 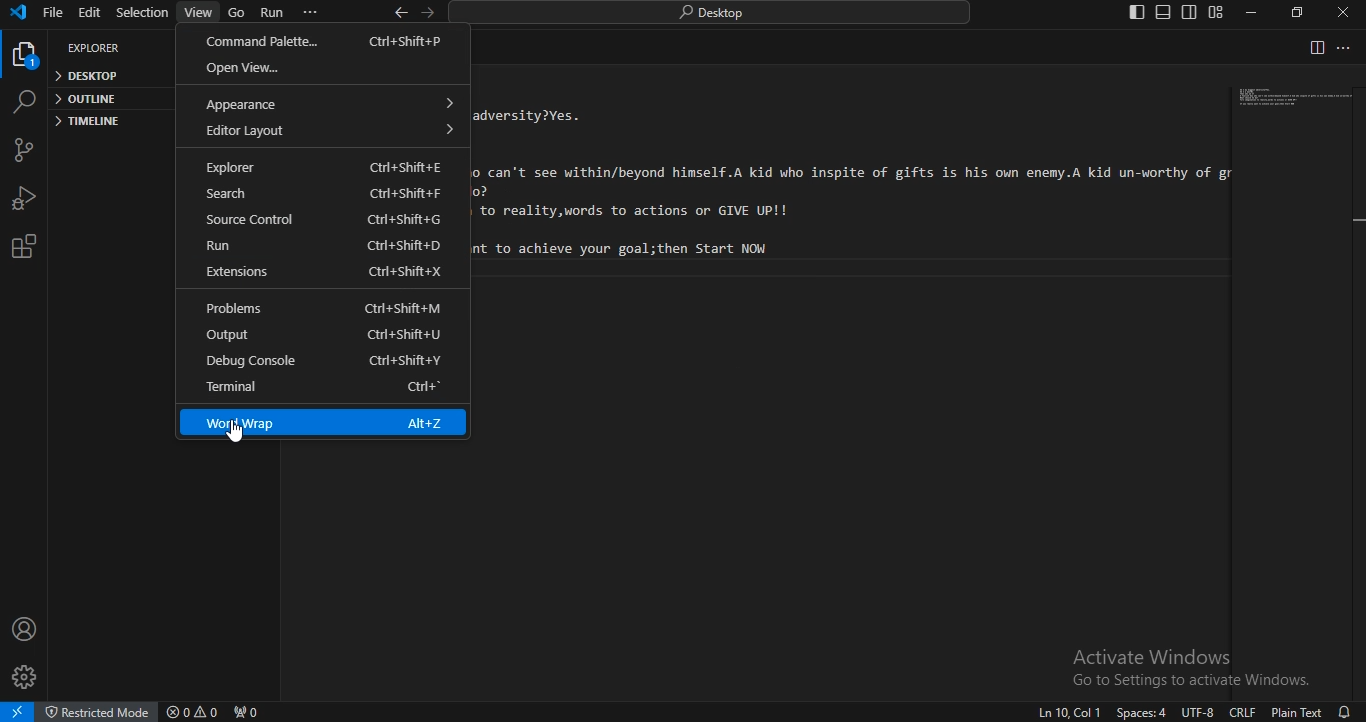 What do you see at coordinates (142, 14) in the screenshot?
I see `selection` at bounding box center [142, 14].